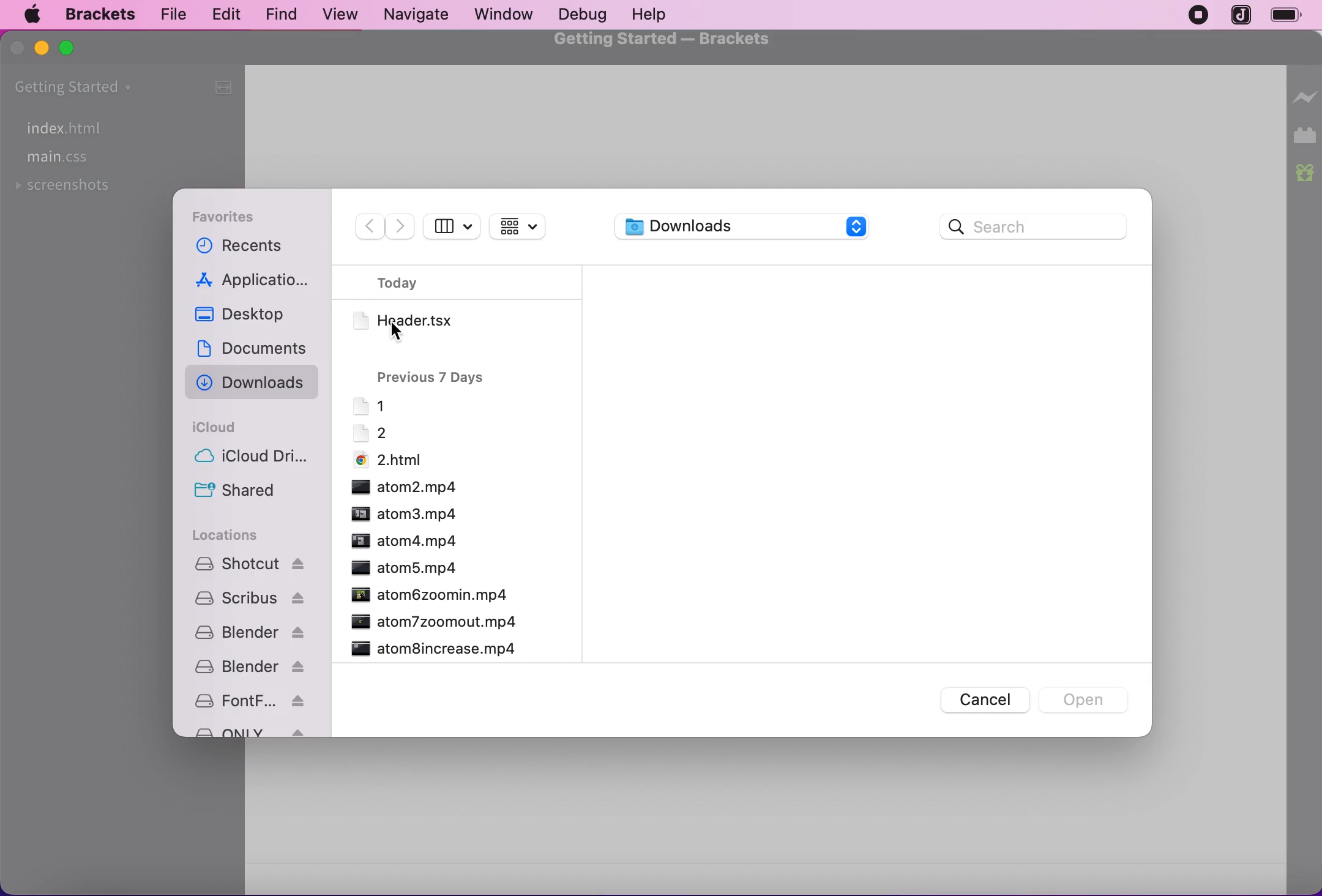  What do you see at coordinates (247, 599) in the screenshot?
I see `scribus` at bounding box center [247, 599].